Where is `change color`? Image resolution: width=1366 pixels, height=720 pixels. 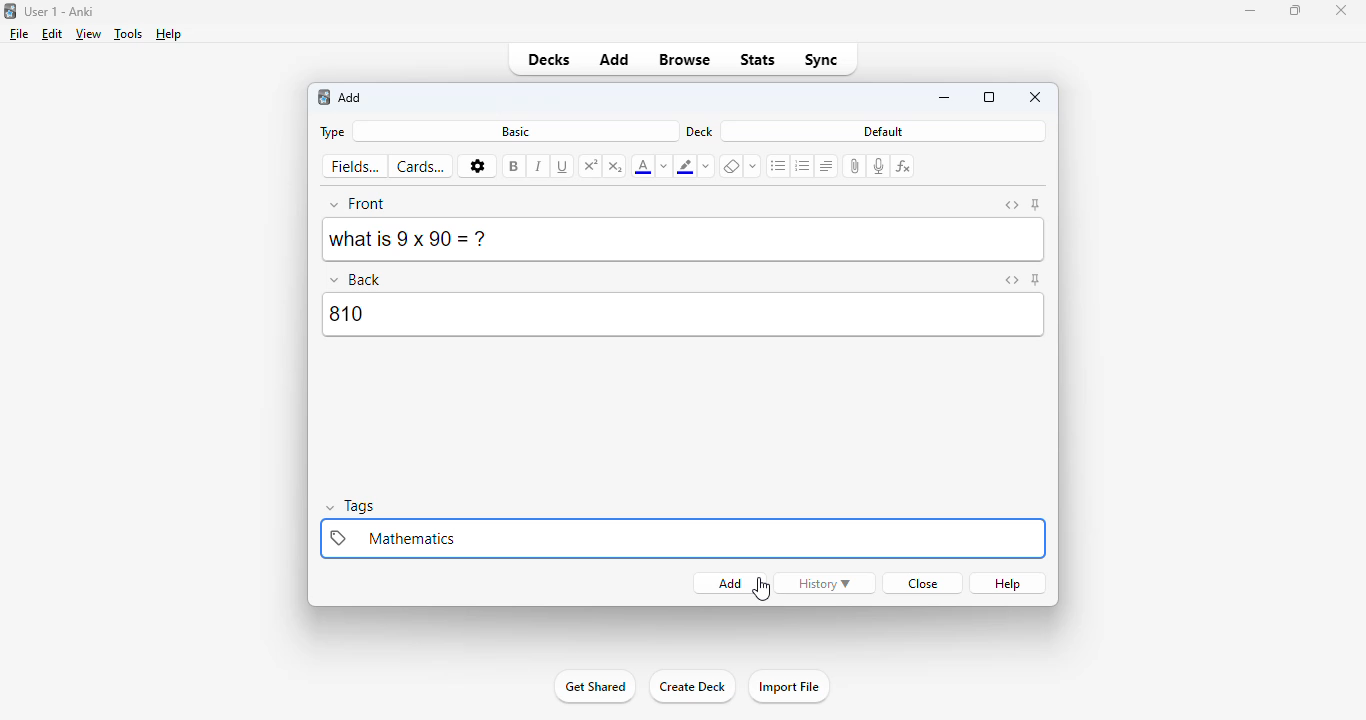
change color is located at coordinates (664, 166).